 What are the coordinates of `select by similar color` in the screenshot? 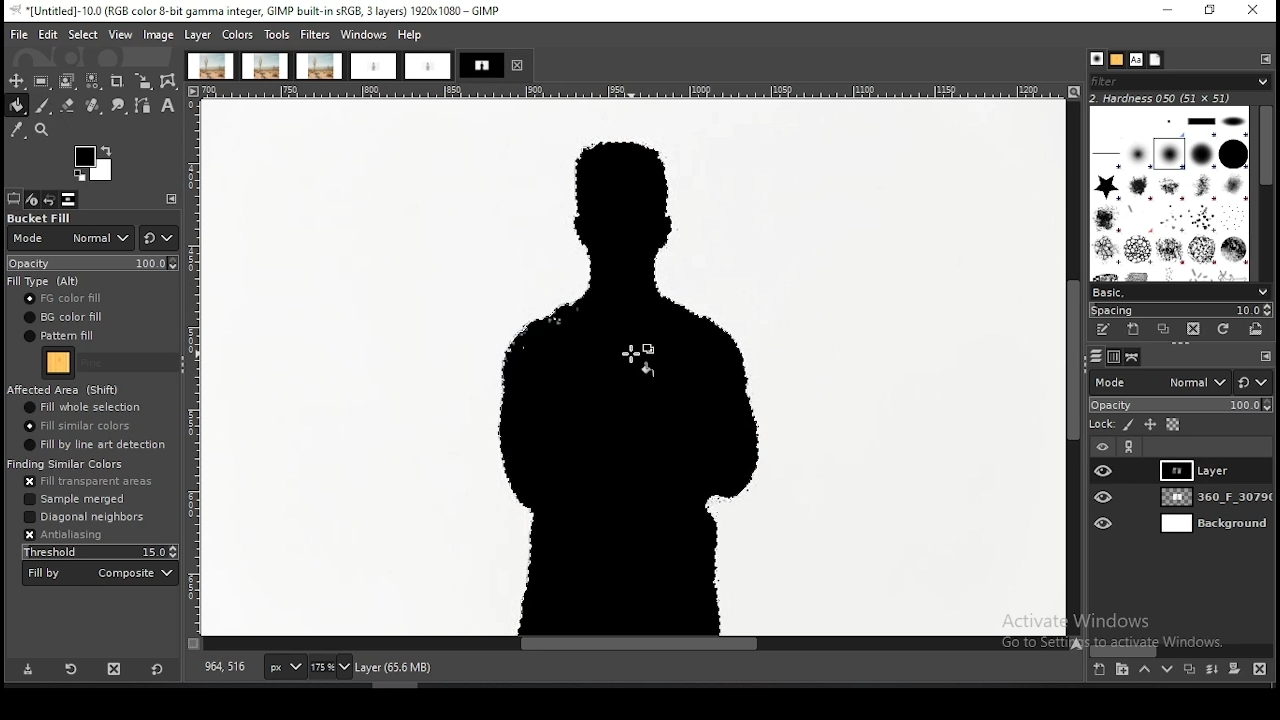 It's located at (92, 81).